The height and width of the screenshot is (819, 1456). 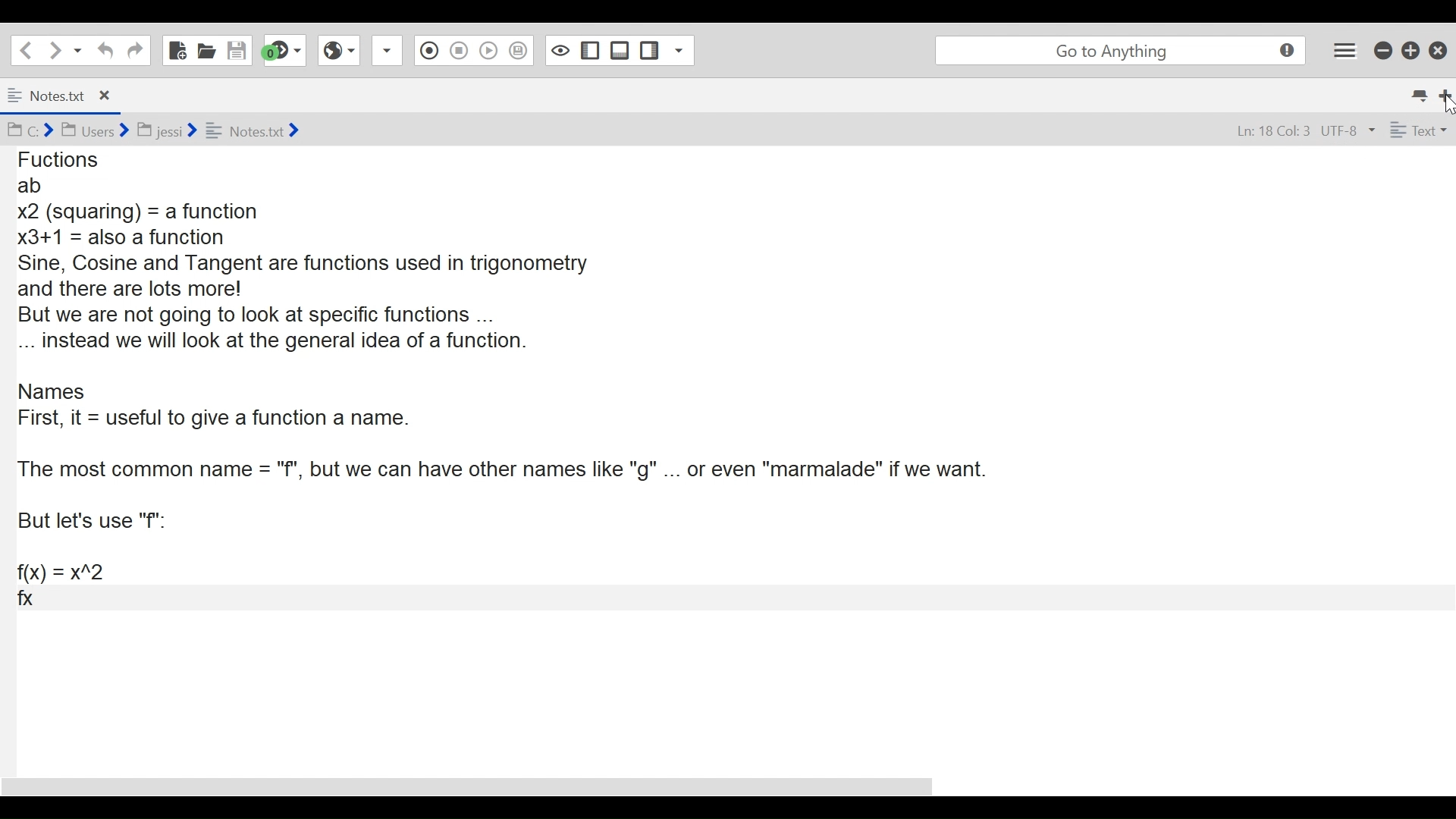 I want to click on c:, so click(x=29, y=130).